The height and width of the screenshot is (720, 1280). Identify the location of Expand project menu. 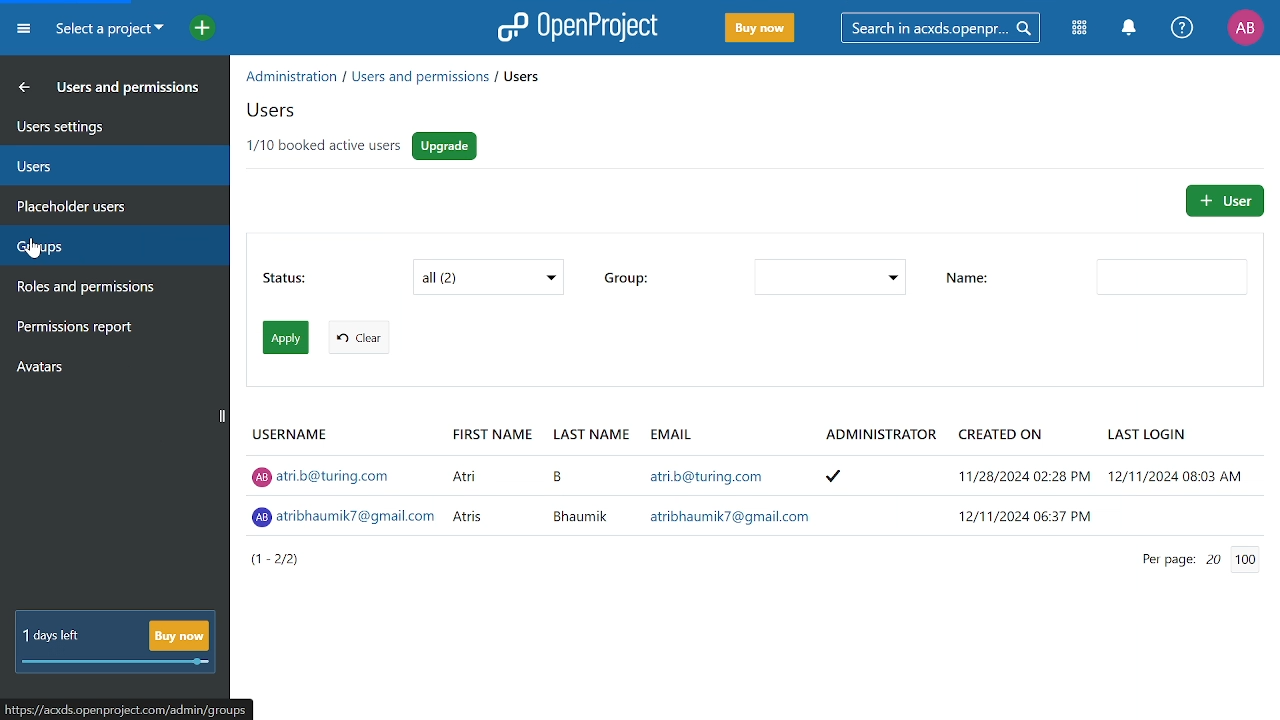
(23, 28).